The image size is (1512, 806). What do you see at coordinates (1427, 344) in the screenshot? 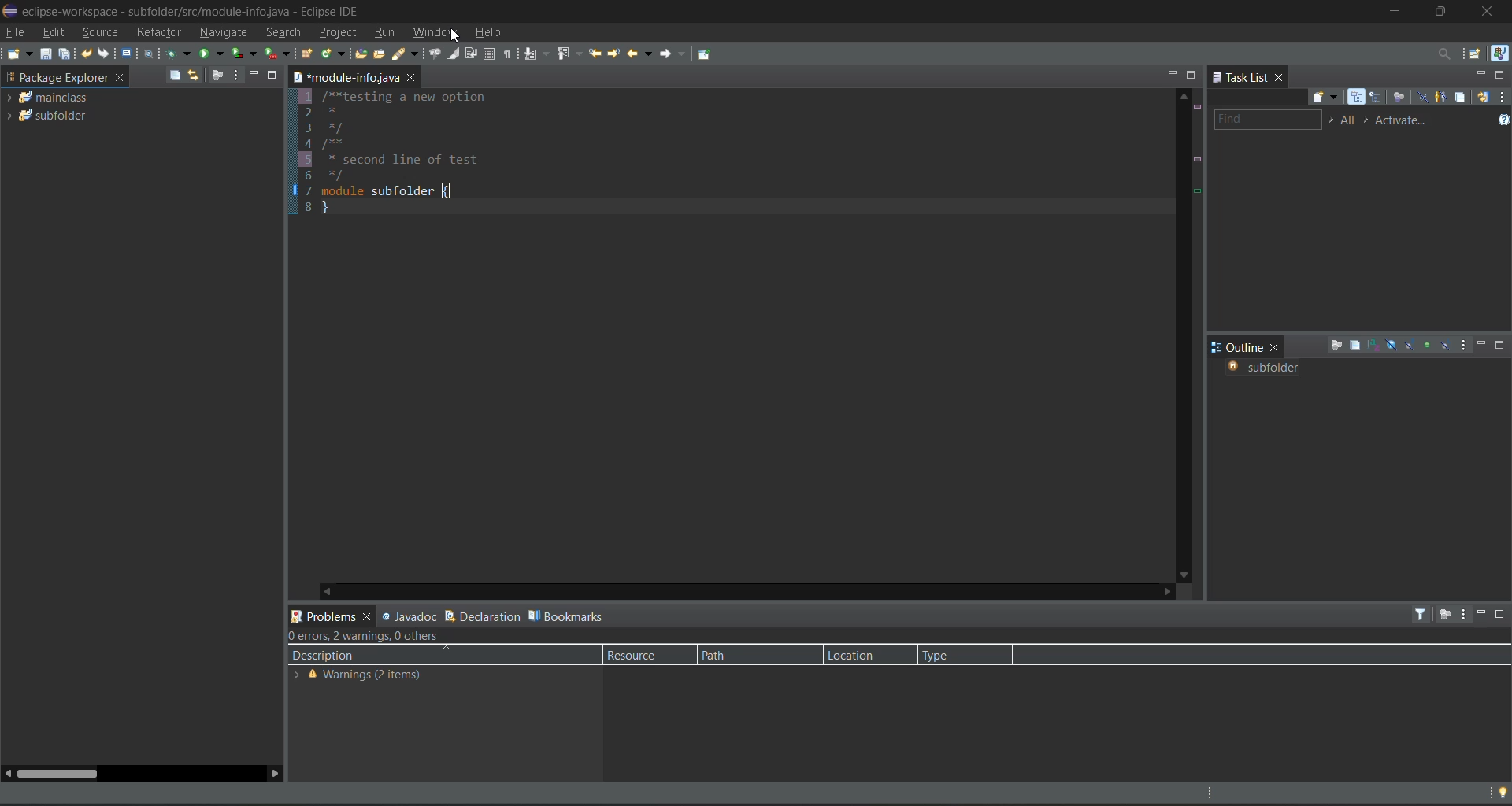
I see `hide non public members` at bounding box center [1427, 344].